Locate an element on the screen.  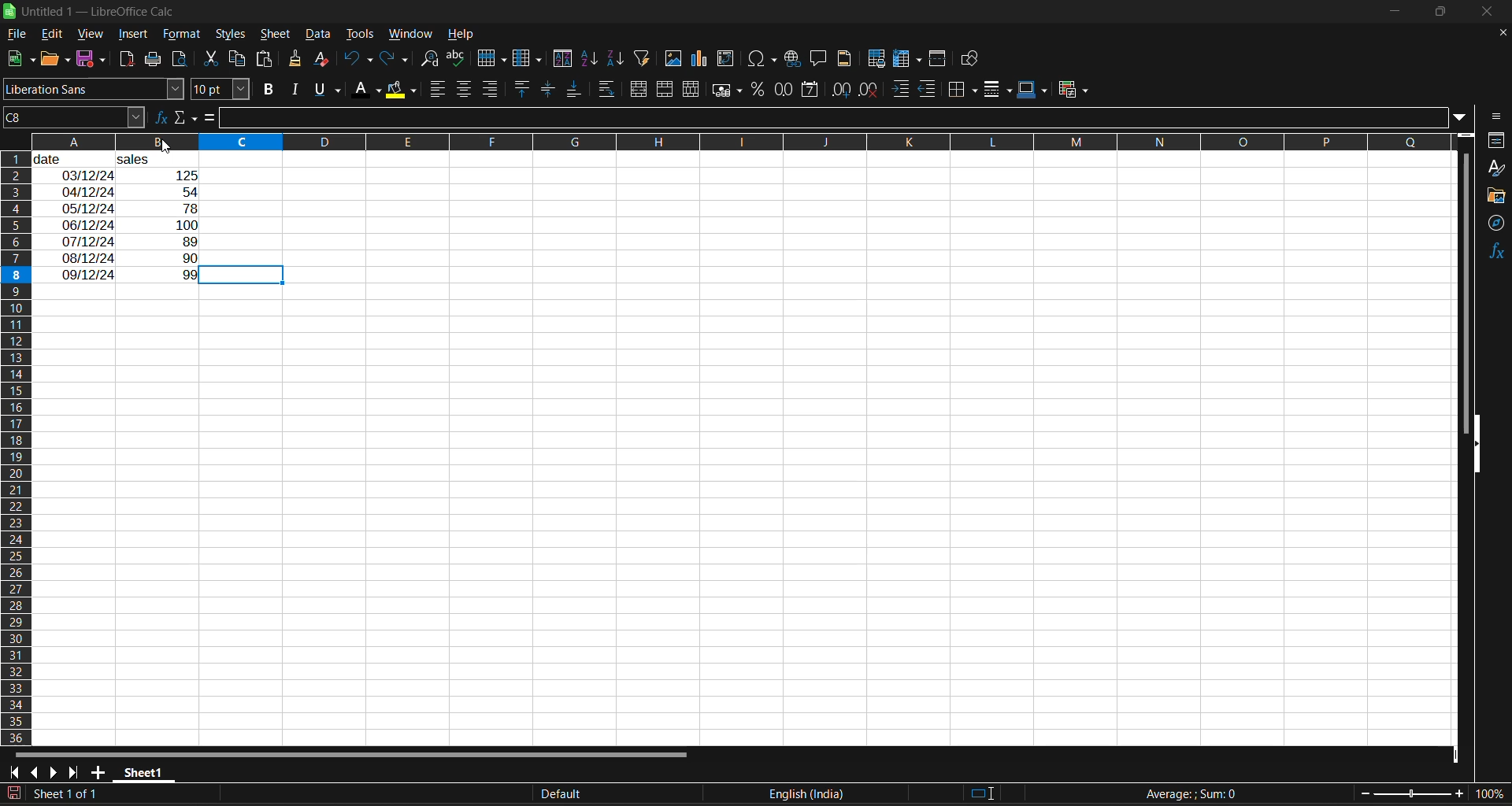
headers and footers is located at coordinates (849, 58).